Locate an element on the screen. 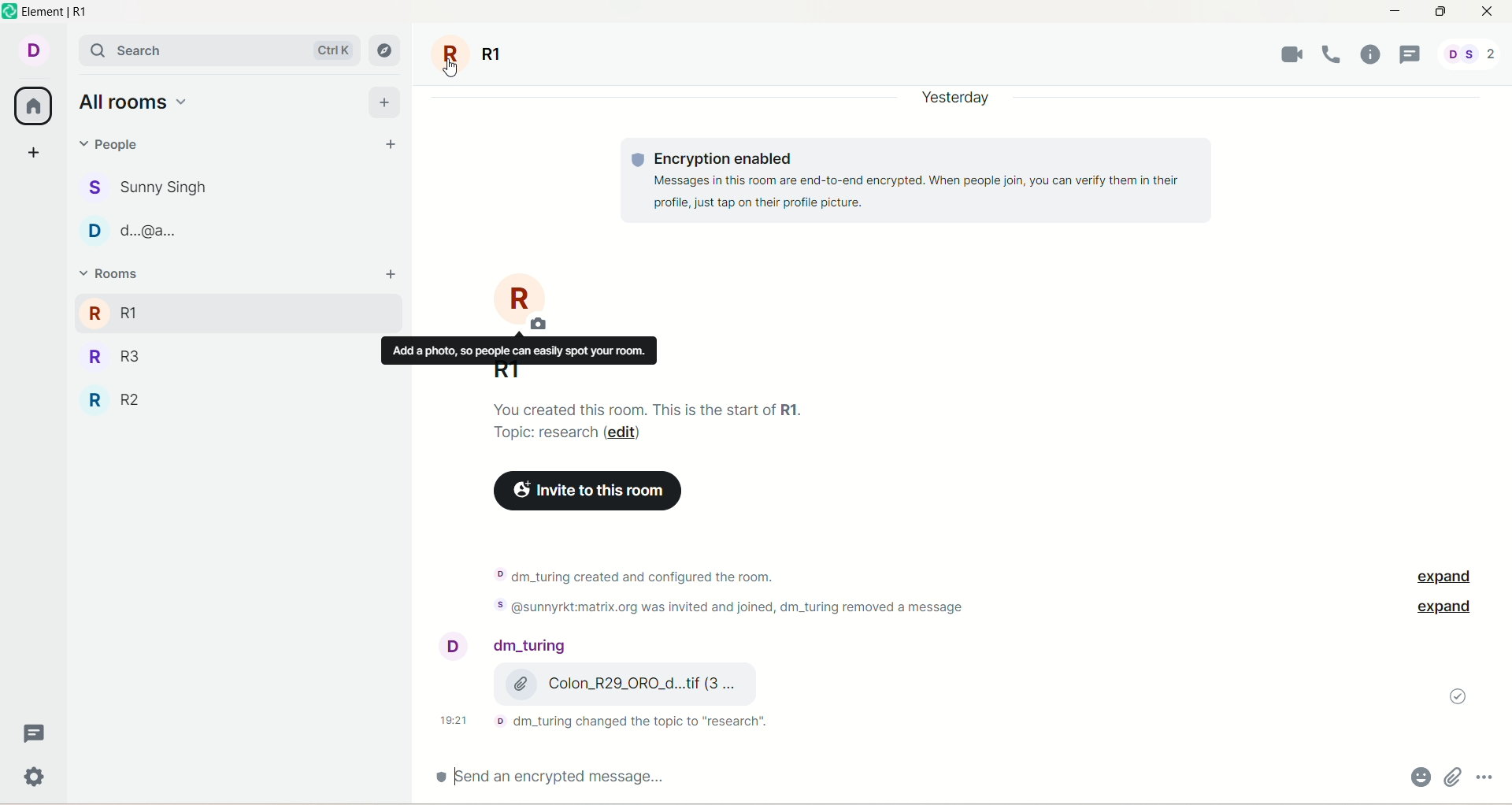  search is located at coordinates (219, 48).